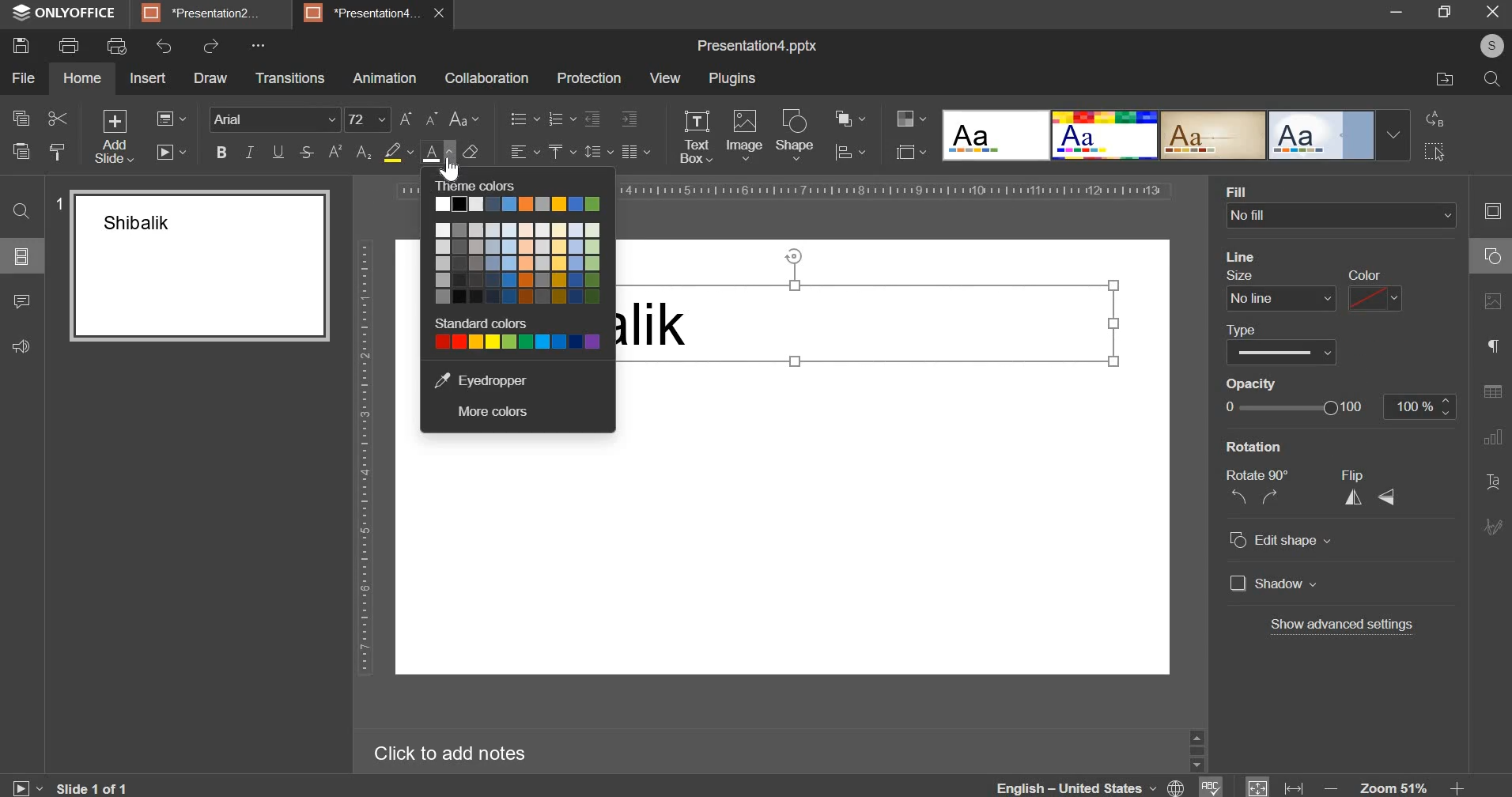 The height and width of the screenshot is (797, 1512). What do you see at coordinates (1270, 499) in the screenshot?
I see `right` at bounding box center [1270, 499].